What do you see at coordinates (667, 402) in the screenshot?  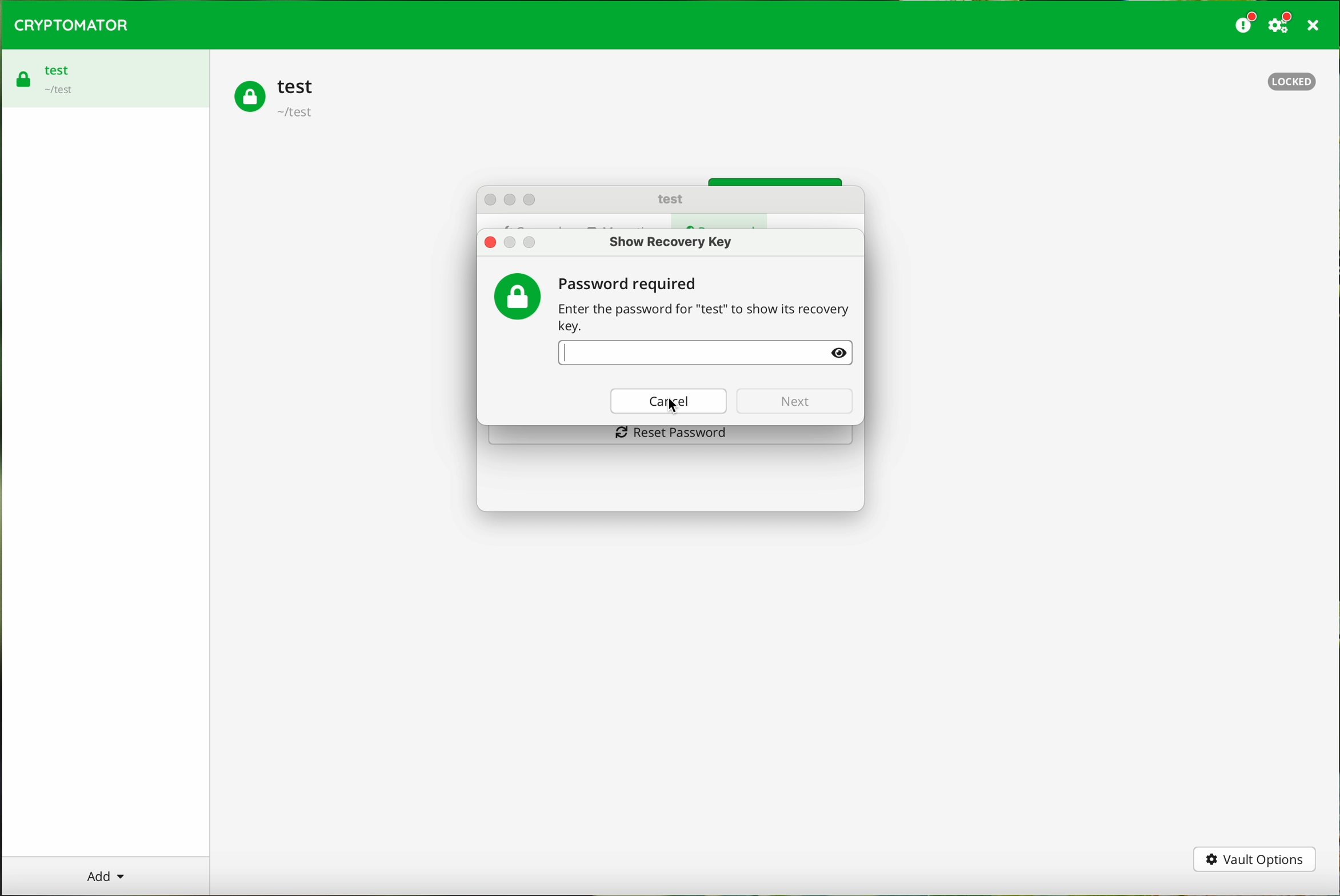 I see `Cancel` at bounding box center [667, 402].